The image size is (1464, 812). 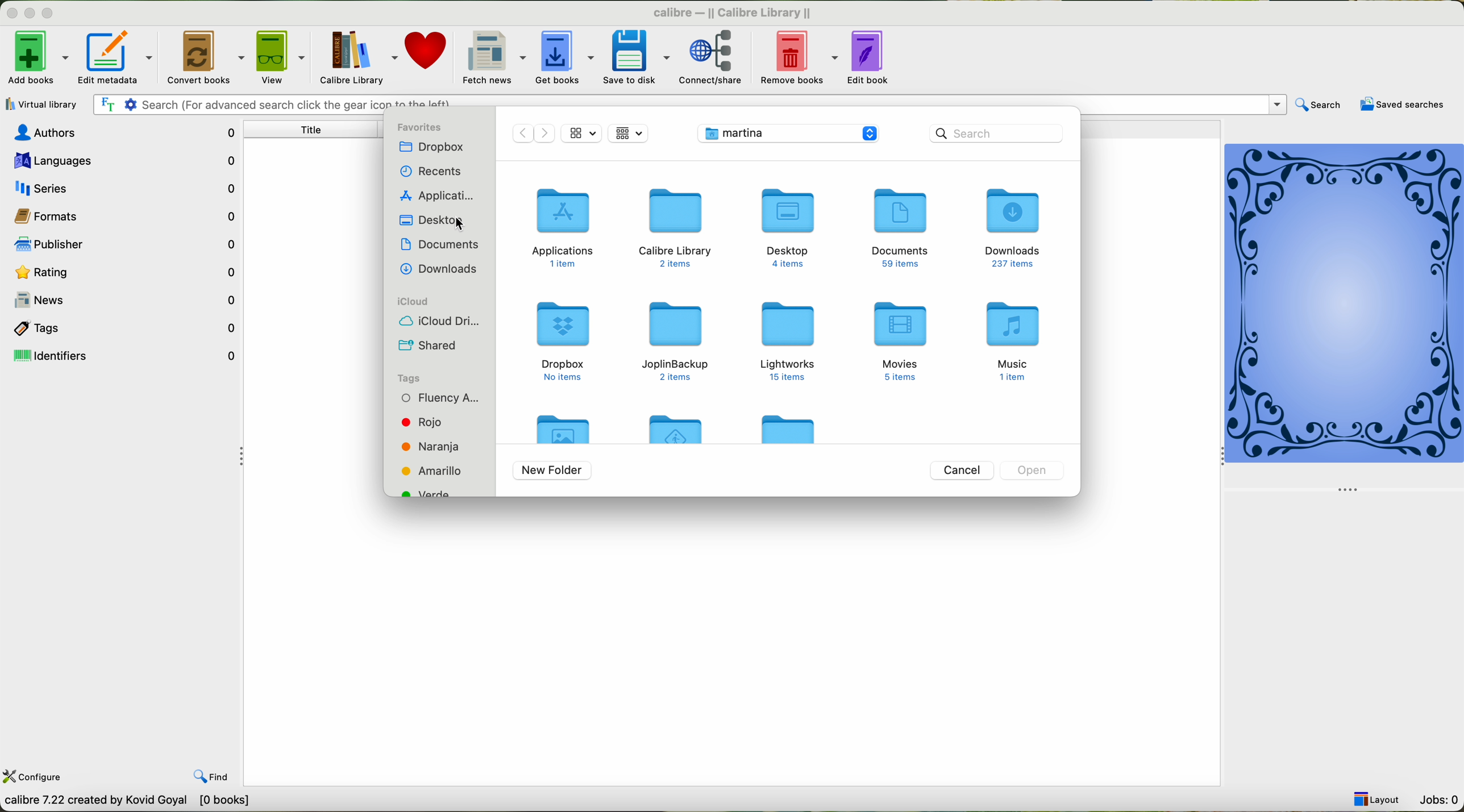 I want to click on lightworks folder, so click(x=785, y=343).